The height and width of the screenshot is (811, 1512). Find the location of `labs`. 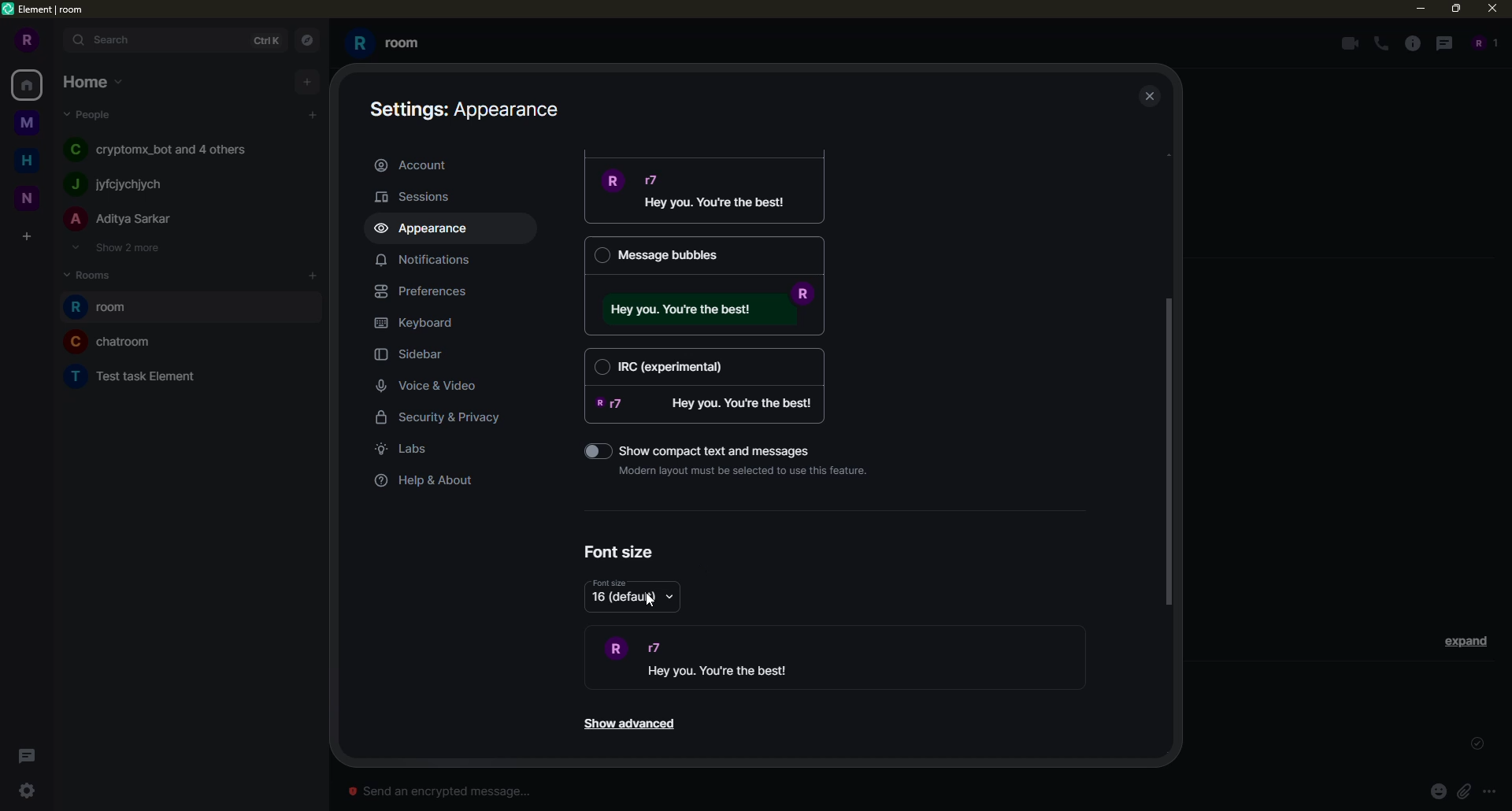

labs is located at coordinates (406, 449).